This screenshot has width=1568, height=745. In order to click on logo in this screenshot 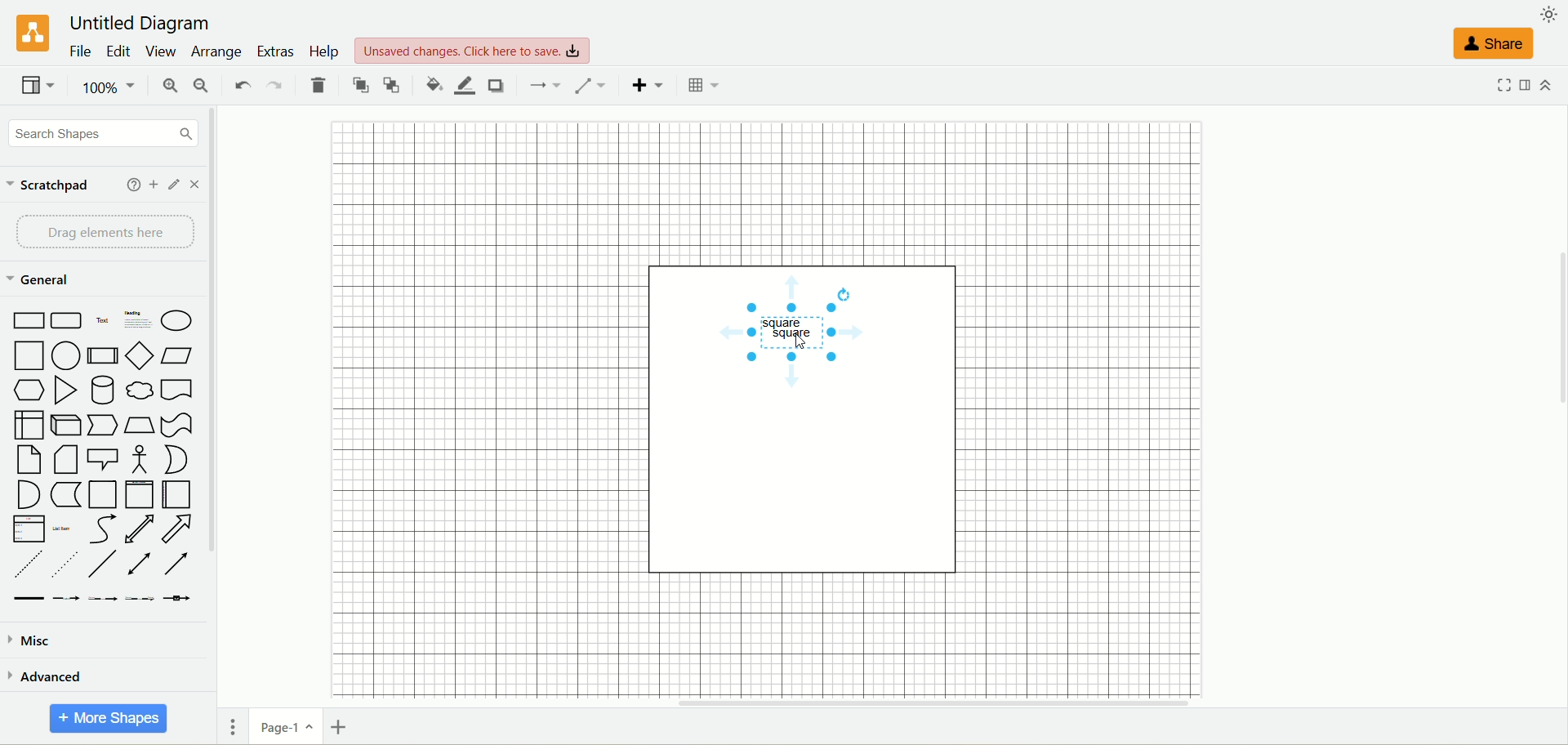, I will do `click(31, 34)`.